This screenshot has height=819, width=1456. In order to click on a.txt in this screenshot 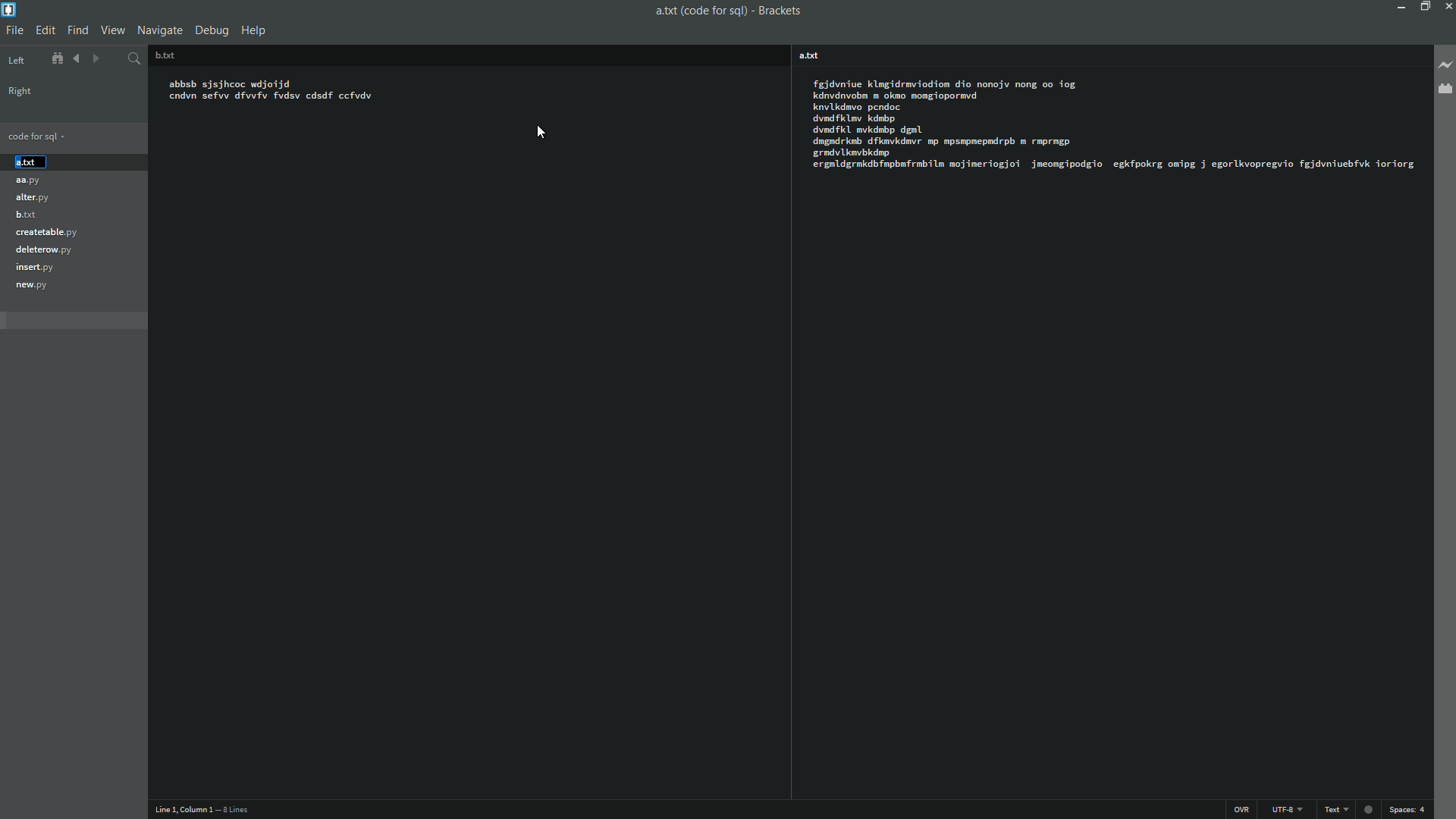, I will do `click(26, 162)`.